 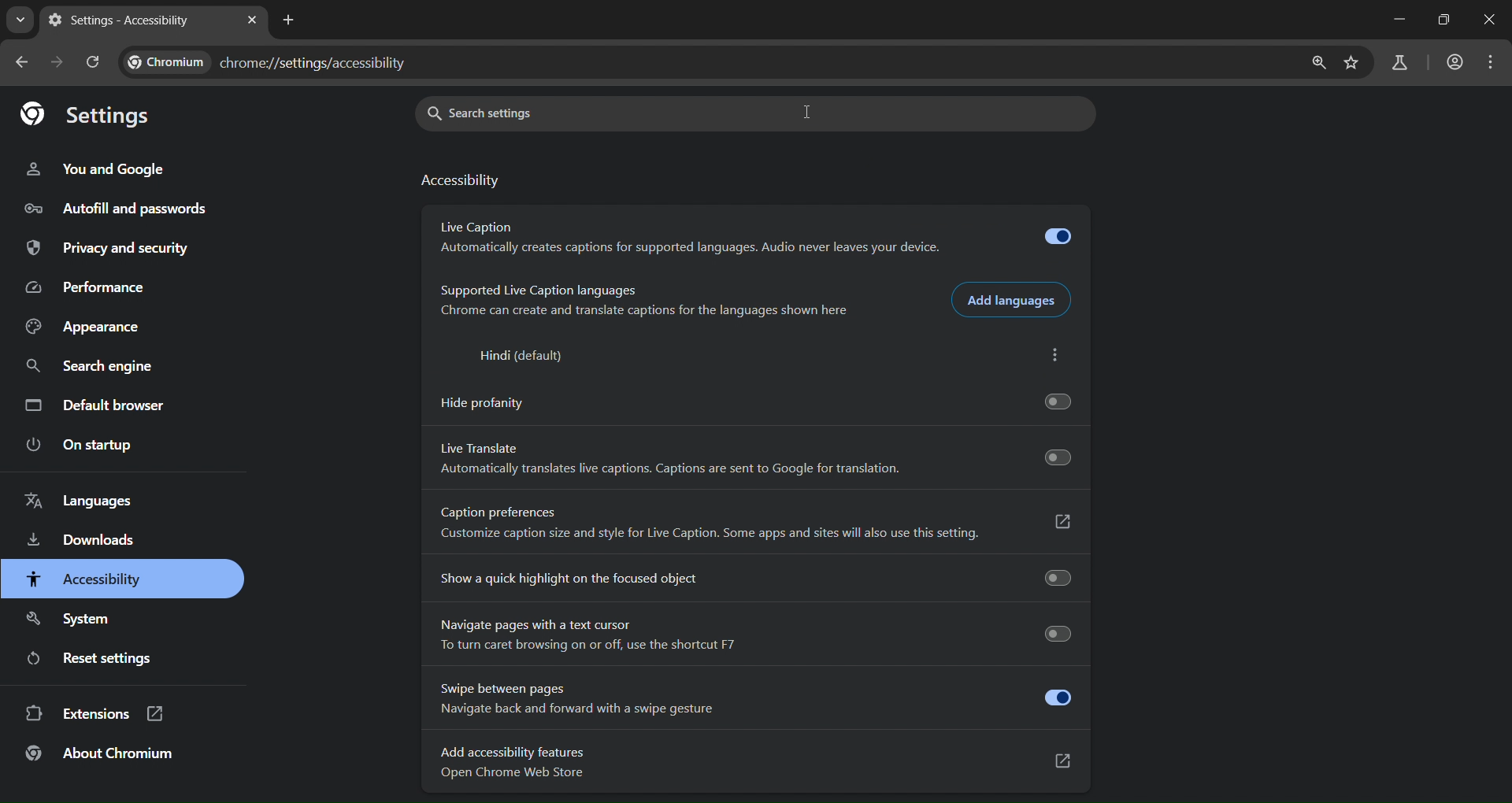 What do you see at coordinates (126, 21) in the screenshot?
I see `settings - accessibility` at bounding box center [126, 21].